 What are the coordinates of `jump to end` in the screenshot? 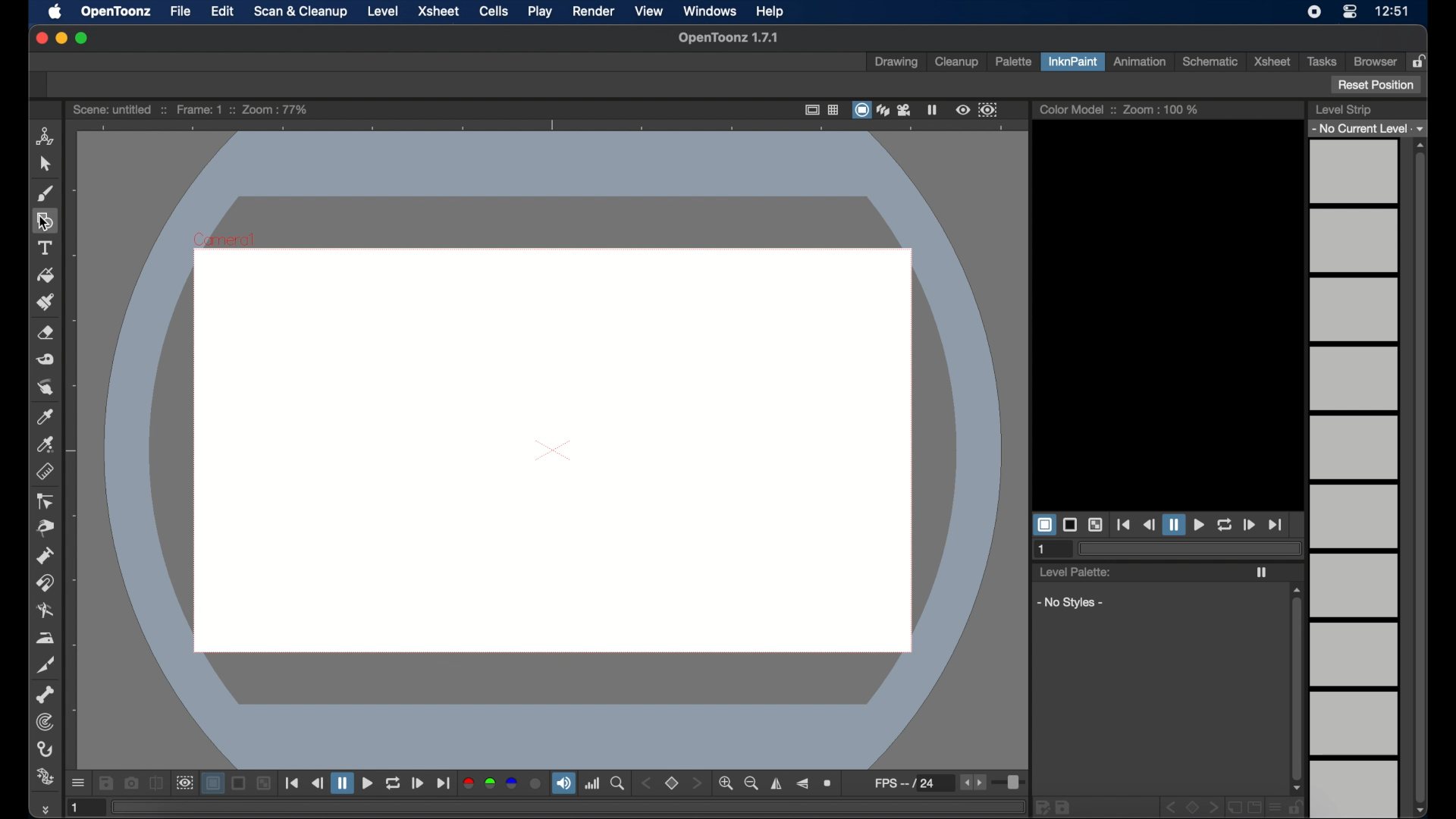 It's located at (1276, 525).